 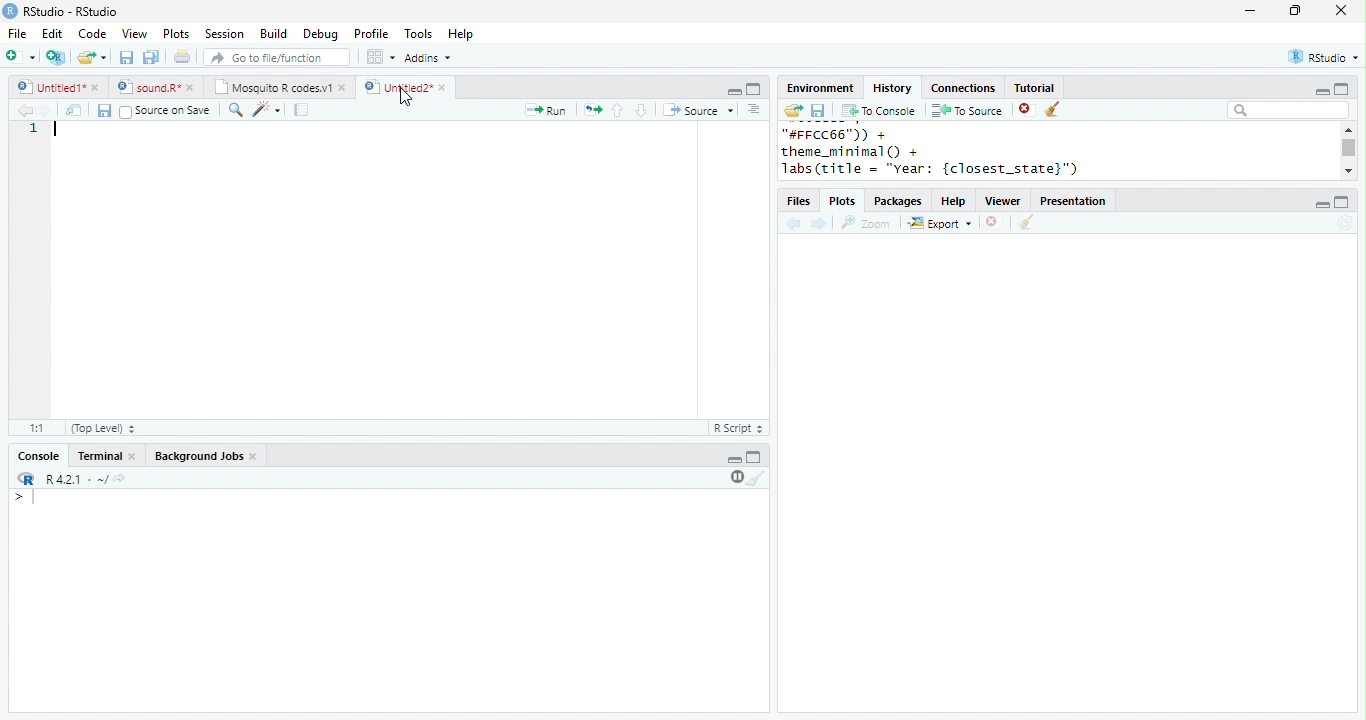 I want to click on start typing, so click(x=26, y=497).